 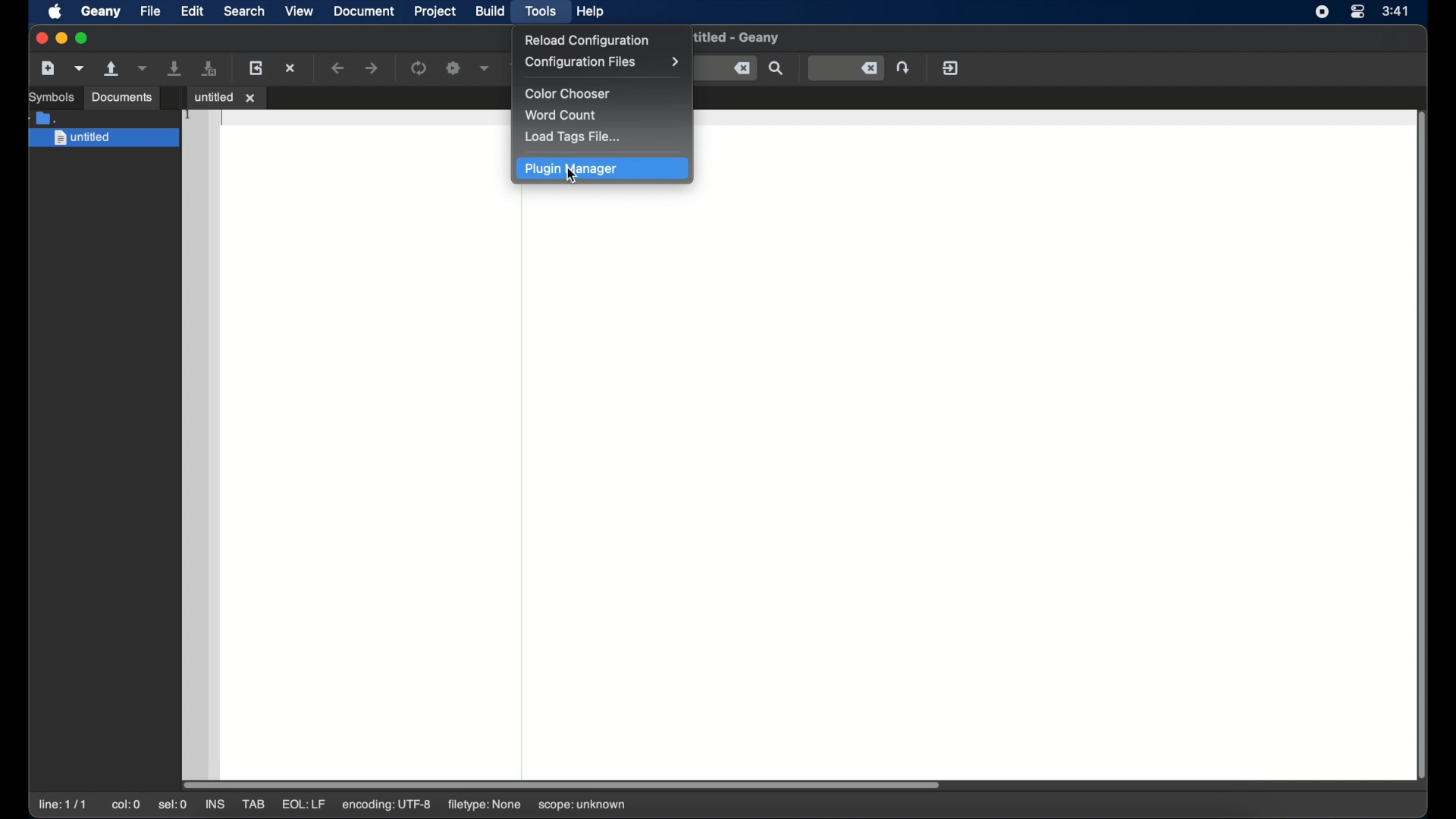 What do you see at coordinates (48, 68) in the screenshot?
I see `create a new file` at bounding box center [48, 68].